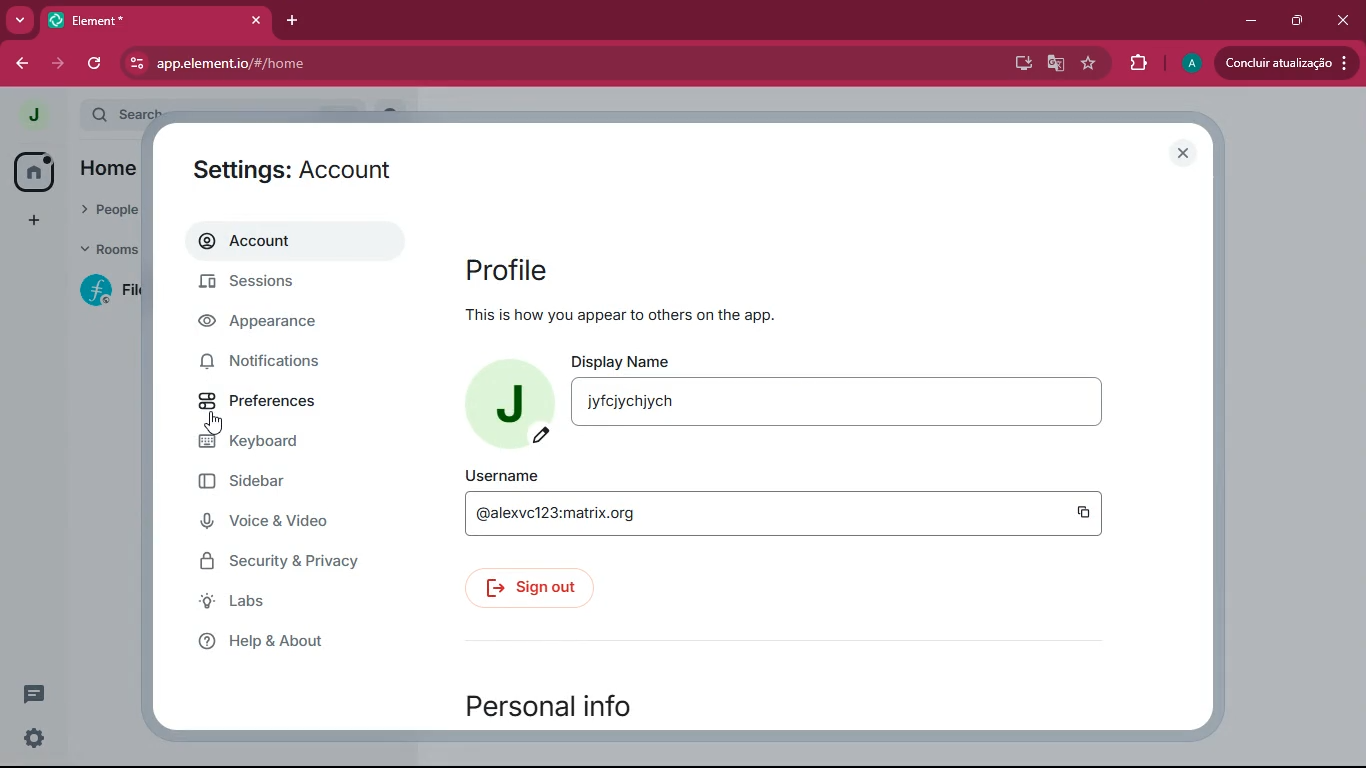  Describe the element at coordinates (33, 116) in the screenshot. I see `profile picture` at that location.